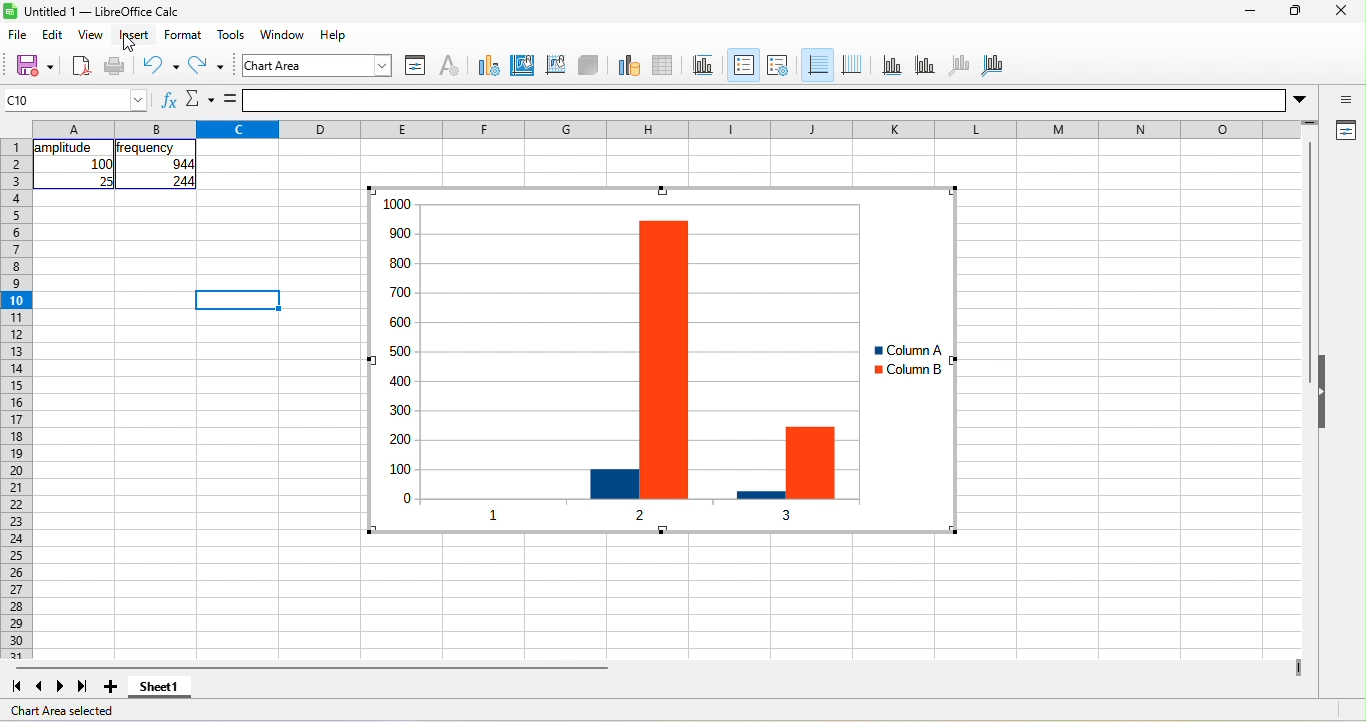 This screenshot has width=1366, height=722. I want to click on edit, so click(56, 34).